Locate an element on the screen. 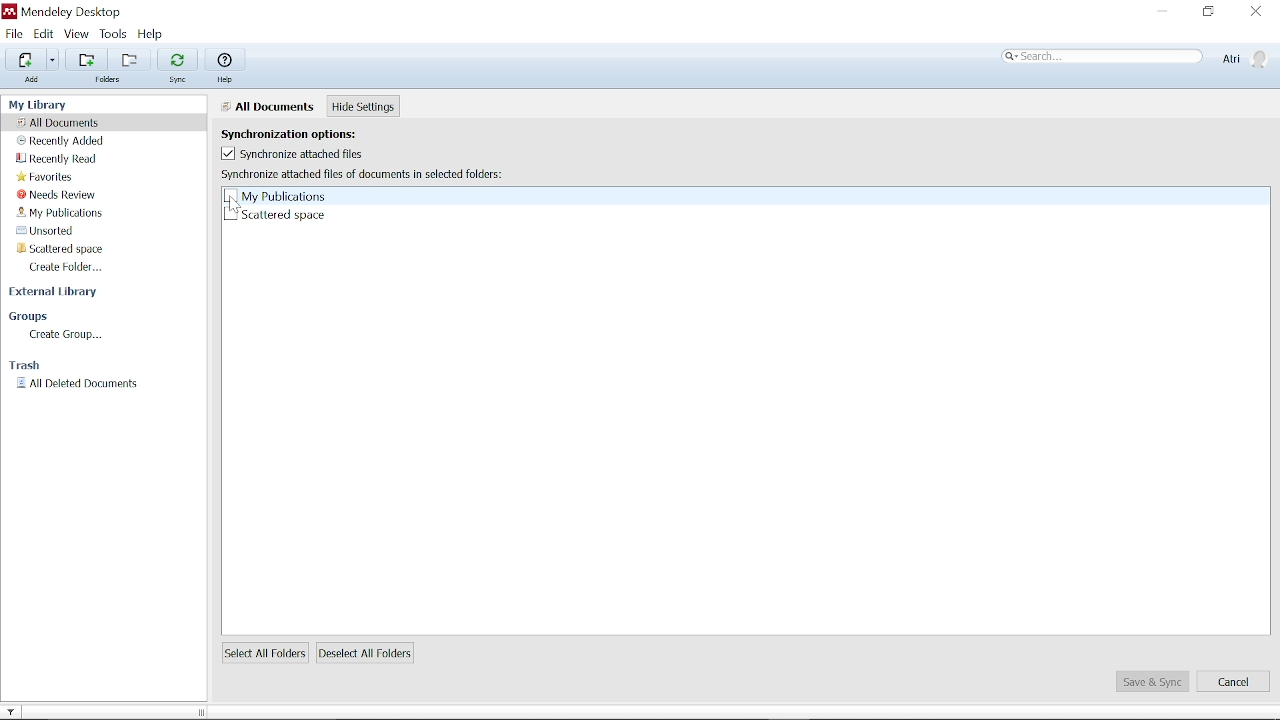 The height and width of the screenshot is (720, 1280). Help is located at coordinates (227, 80).